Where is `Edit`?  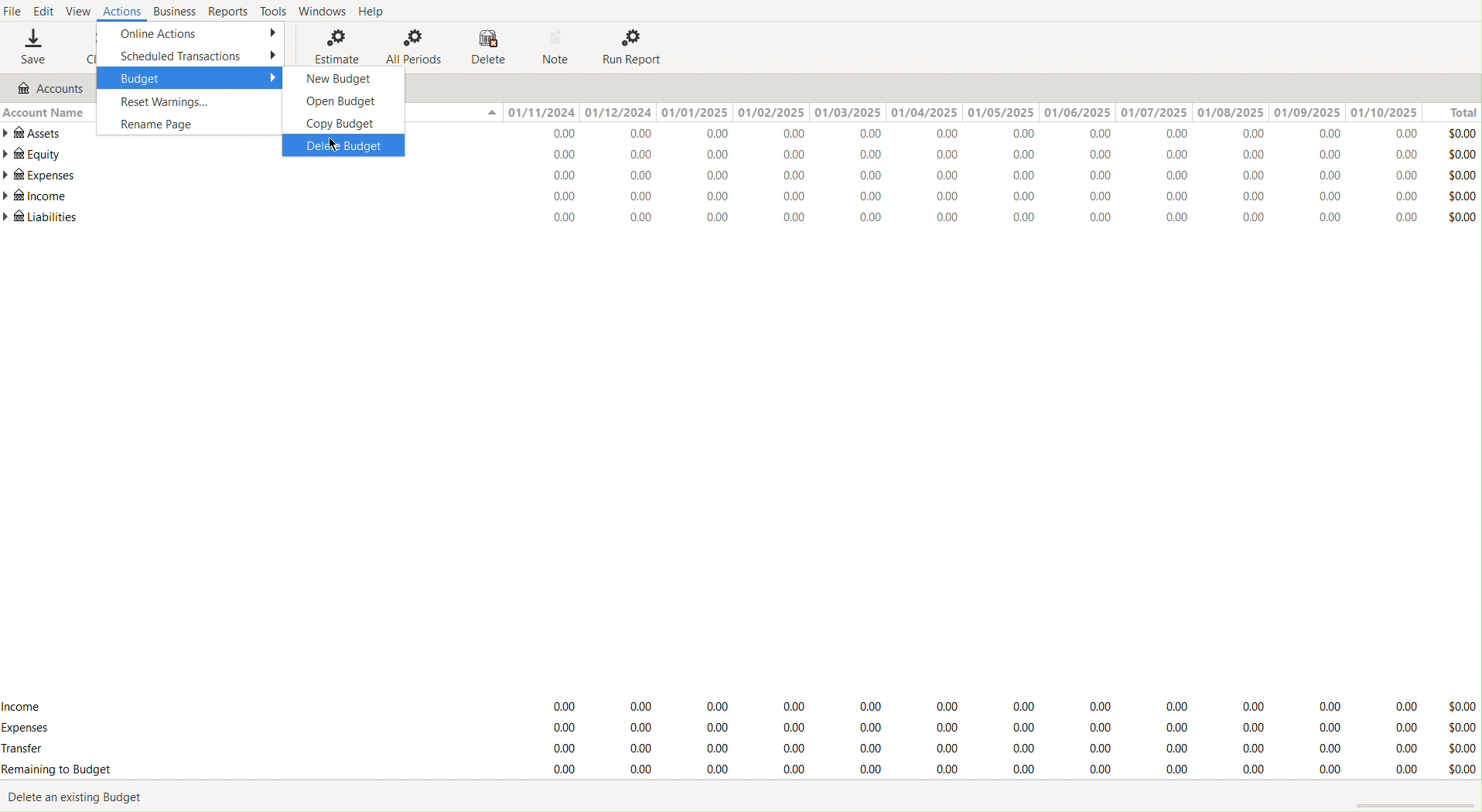 Edit is located at coordinates (42, 12).